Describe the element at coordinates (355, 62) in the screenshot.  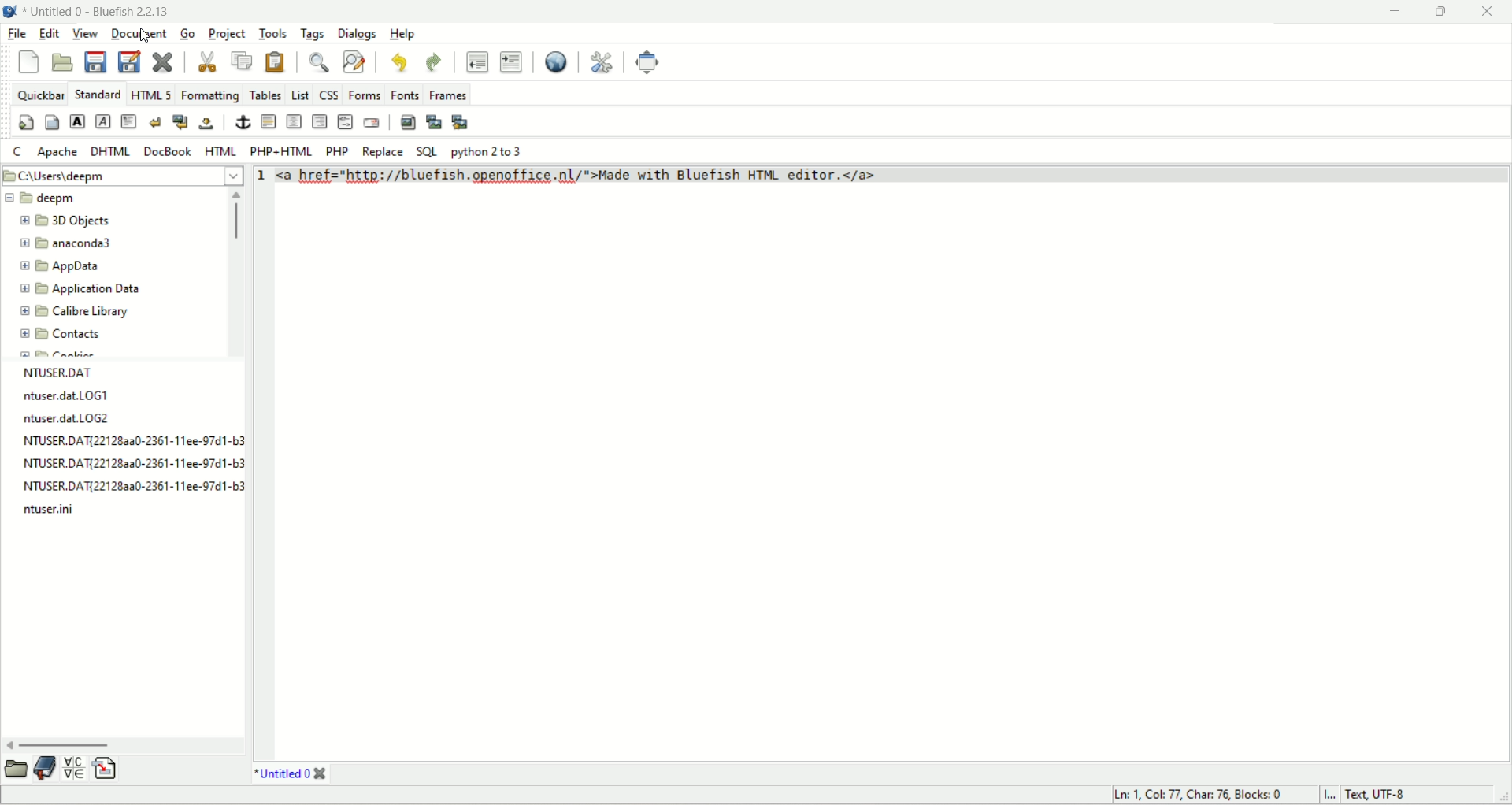
I see `advanced find and replace` at that location.